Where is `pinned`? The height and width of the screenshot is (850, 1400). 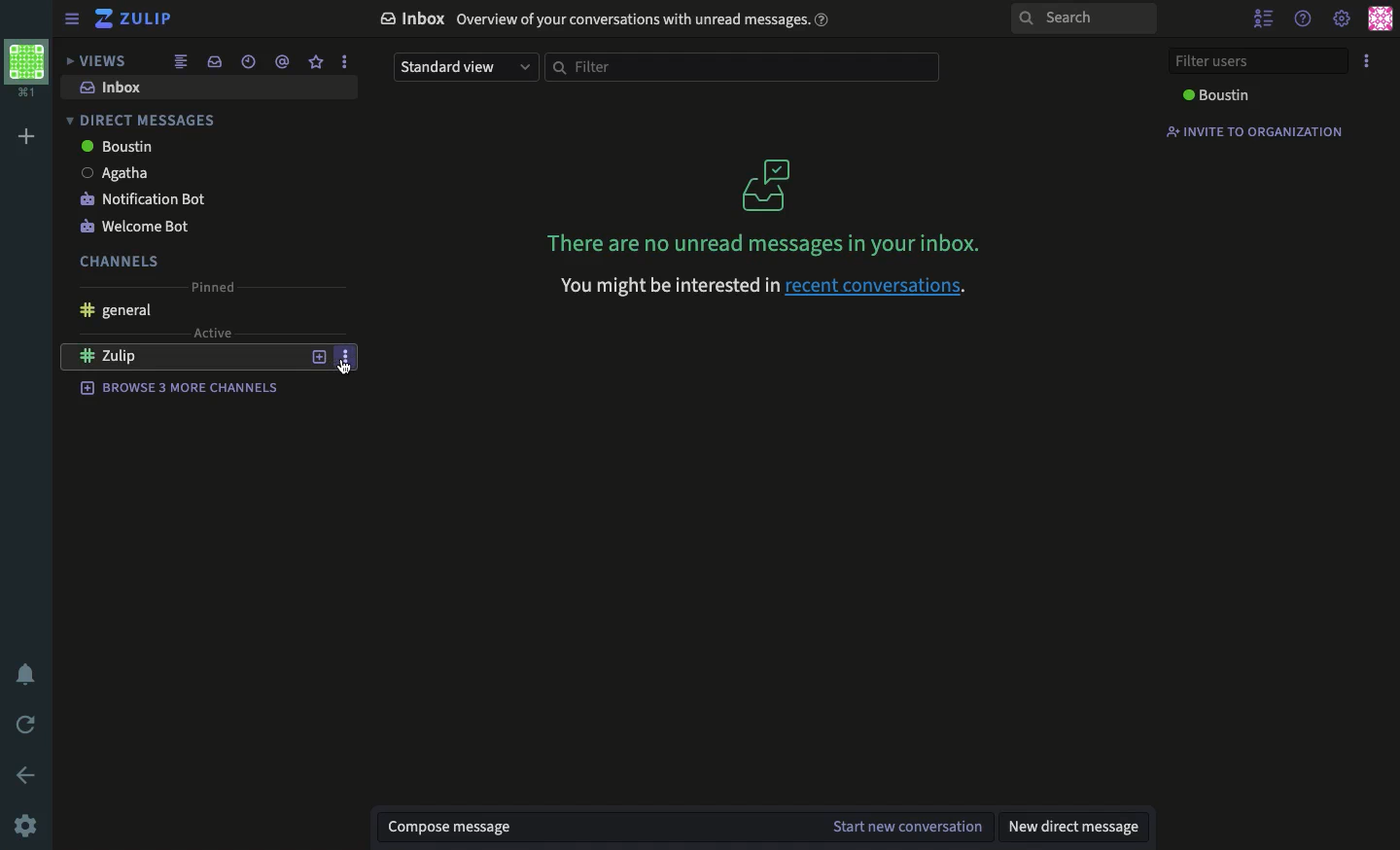
pinned is located at coordinates (214, 287).